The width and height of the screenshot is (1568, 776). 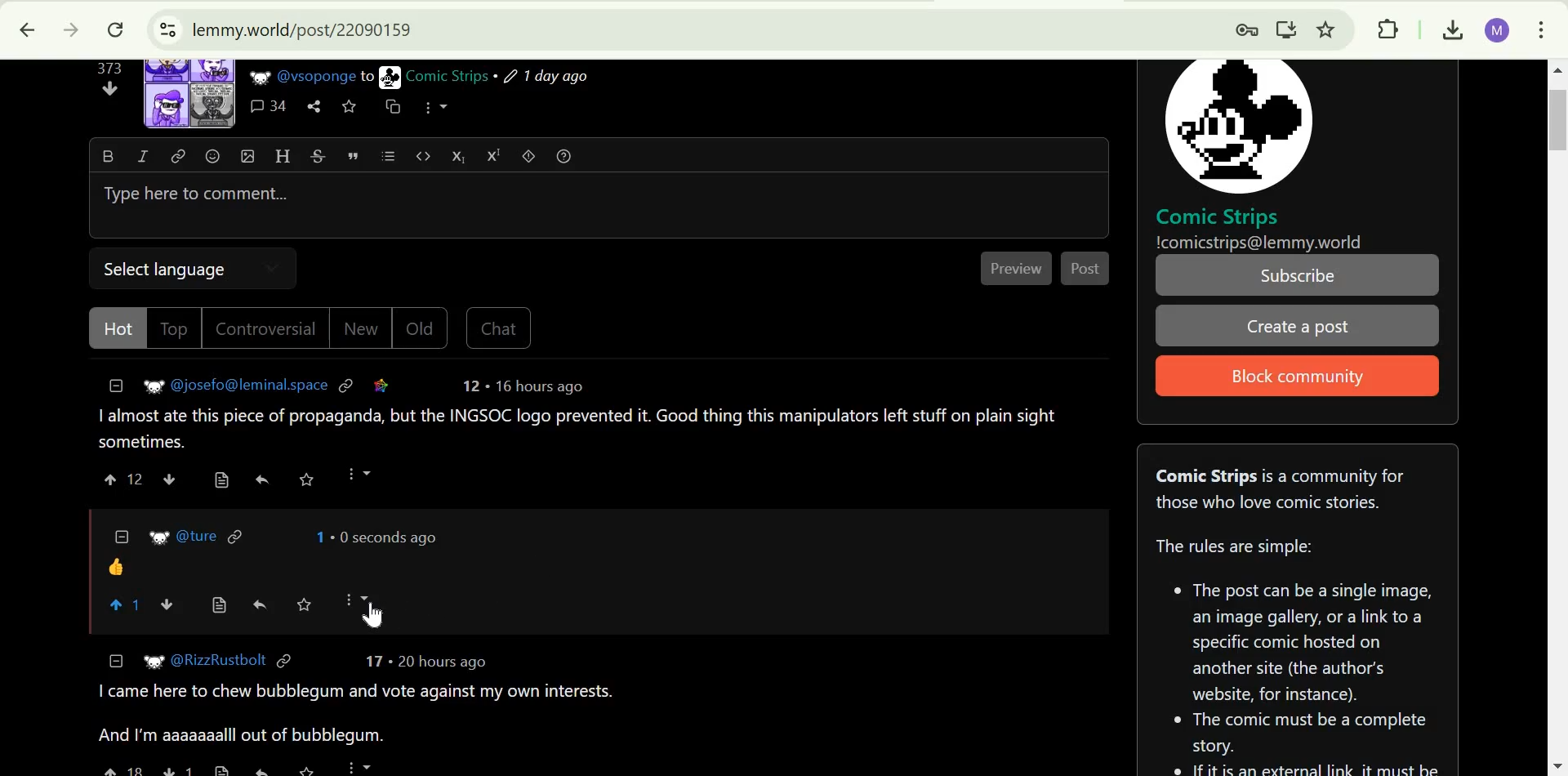 What do you see at coordinates (1292, 377) in the screenshot?
I see `Block community` at bounding box center [1292, 377].